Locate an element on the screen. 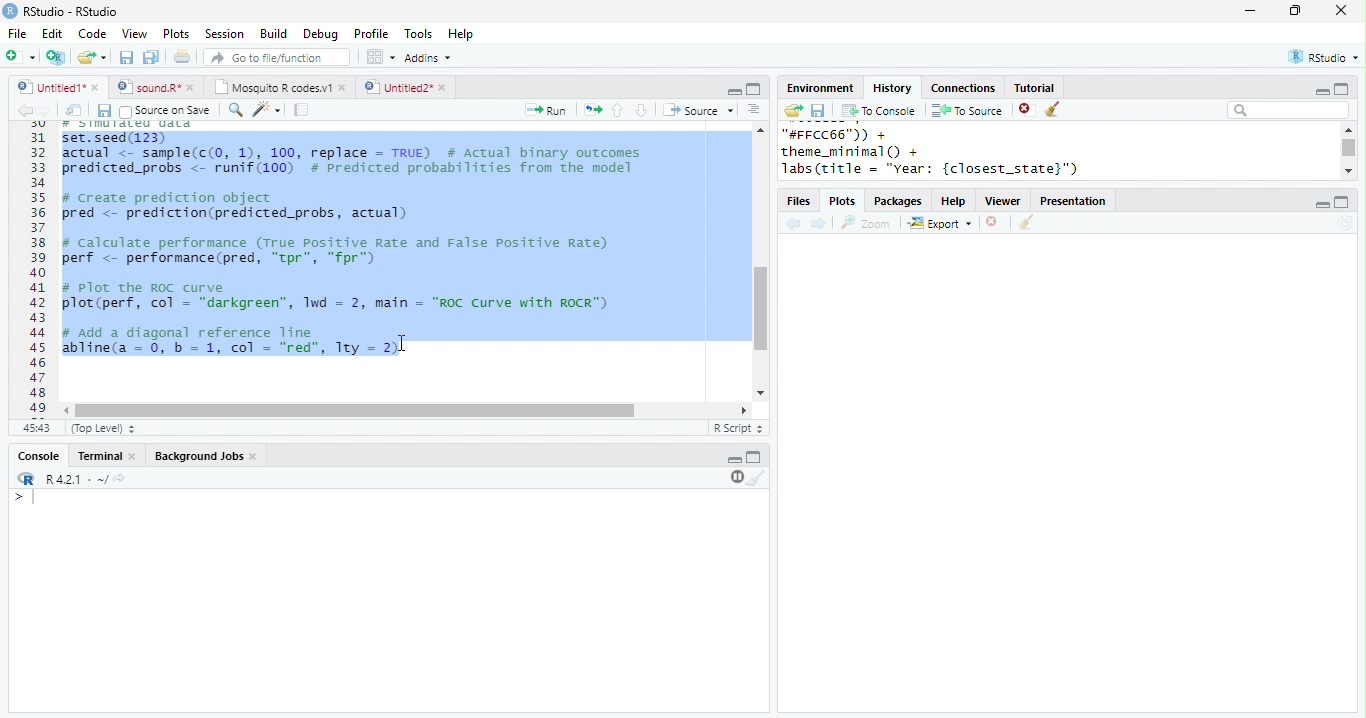 This screenshot has height=718, width=1366. new file is located at coordinates (20, 56).